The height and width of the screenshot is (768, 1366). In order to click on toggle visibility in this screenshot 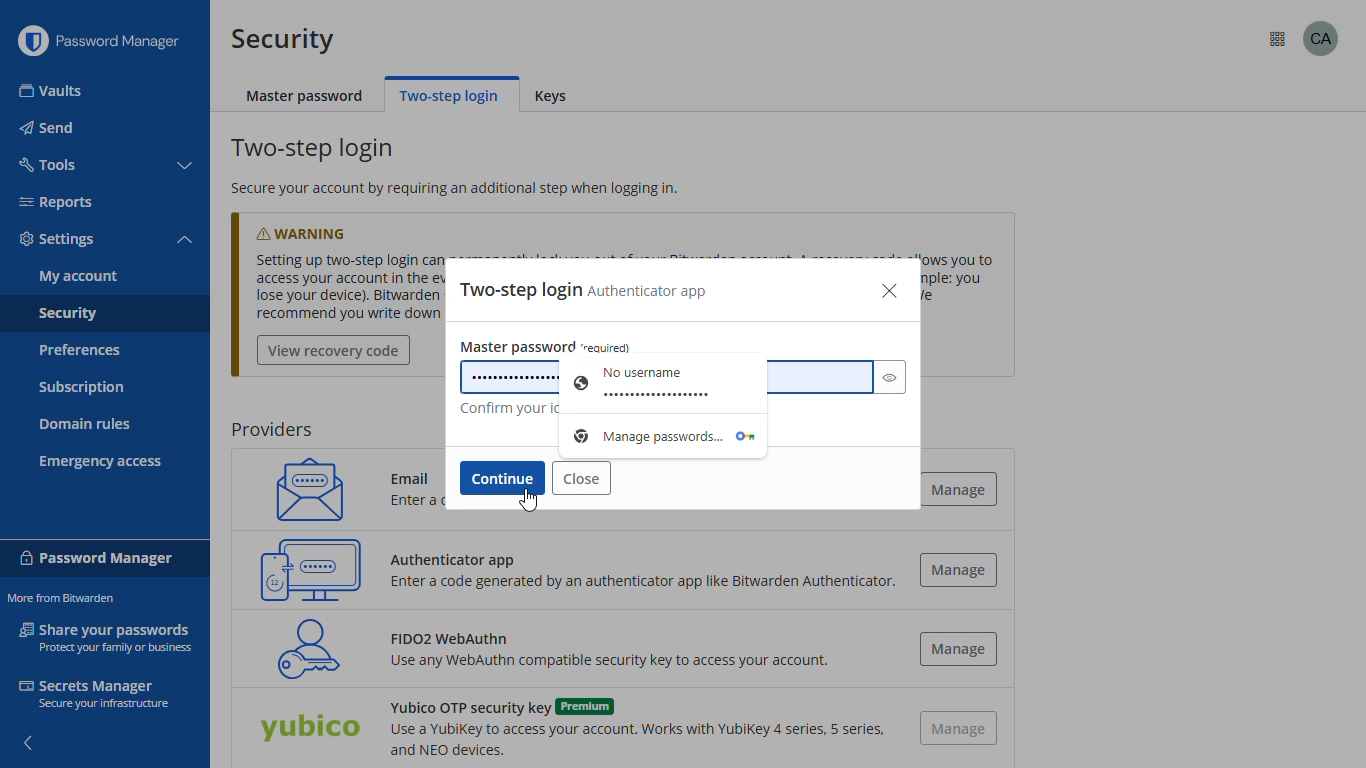, I will do `click(893, 378)`.